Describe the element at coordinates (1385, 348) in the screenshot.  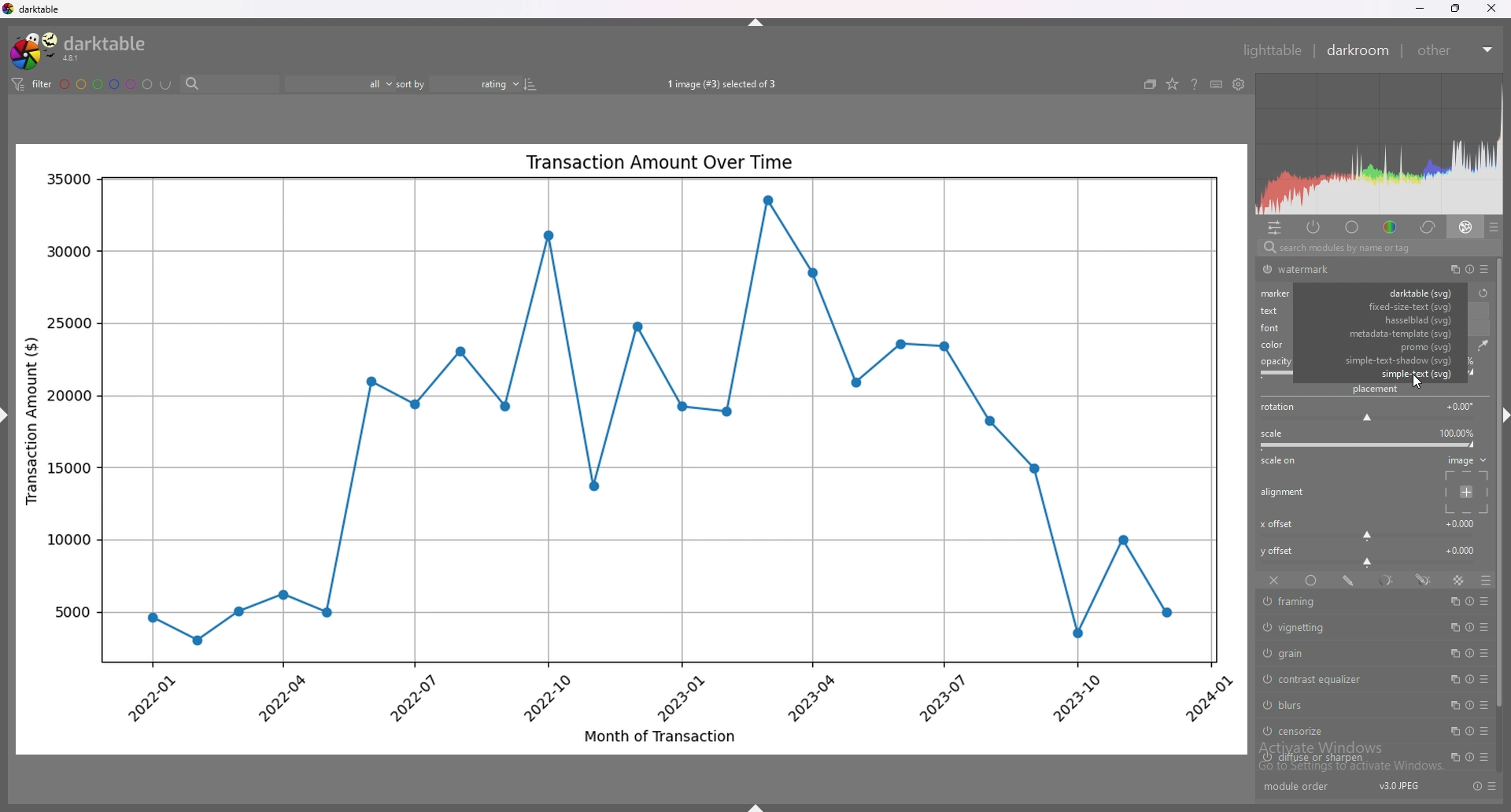
I see `promo svg` at that location.